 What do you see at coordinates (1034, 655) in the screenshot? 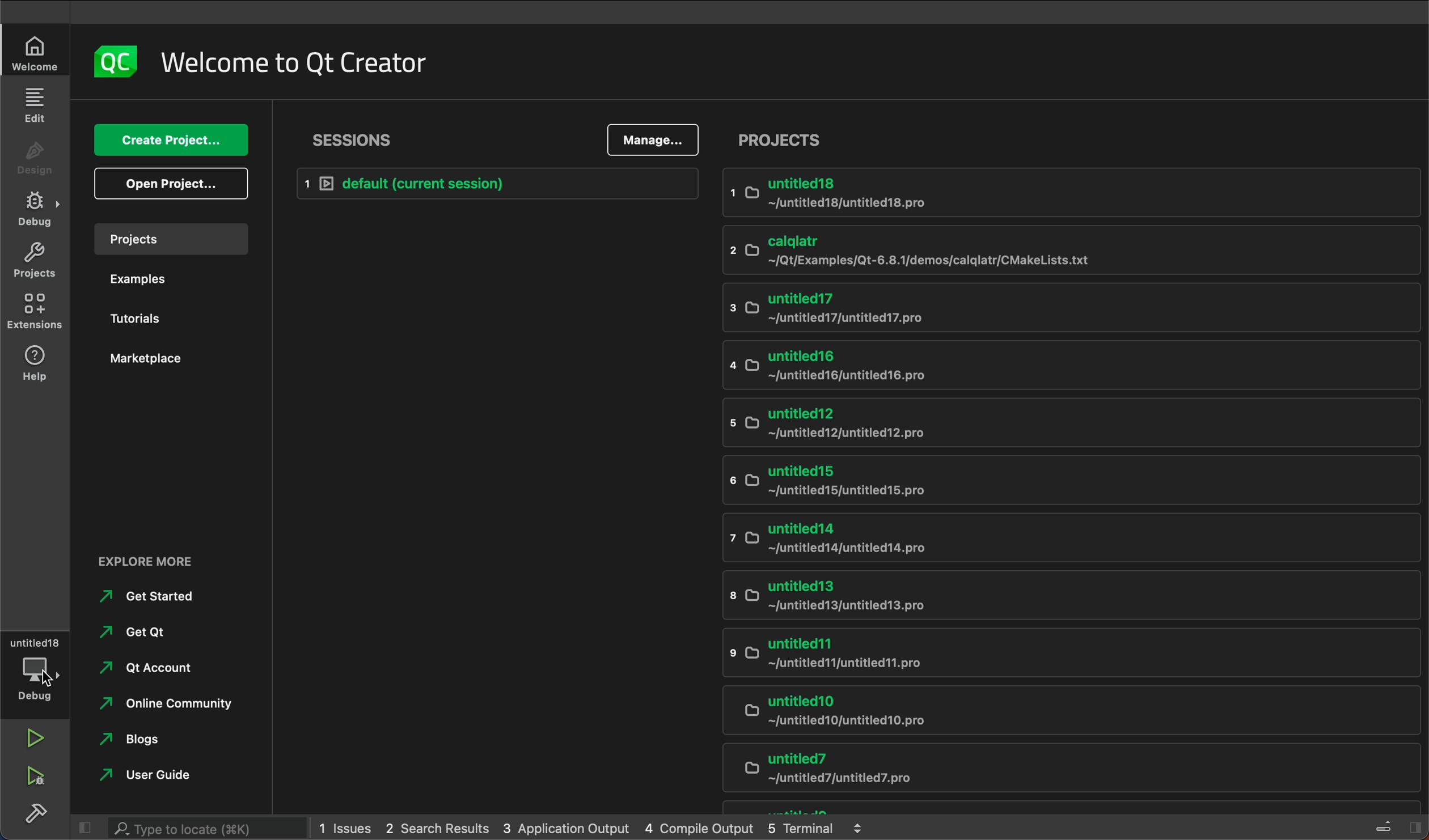
I see `untitled11` at bounding box center [1034, 655].